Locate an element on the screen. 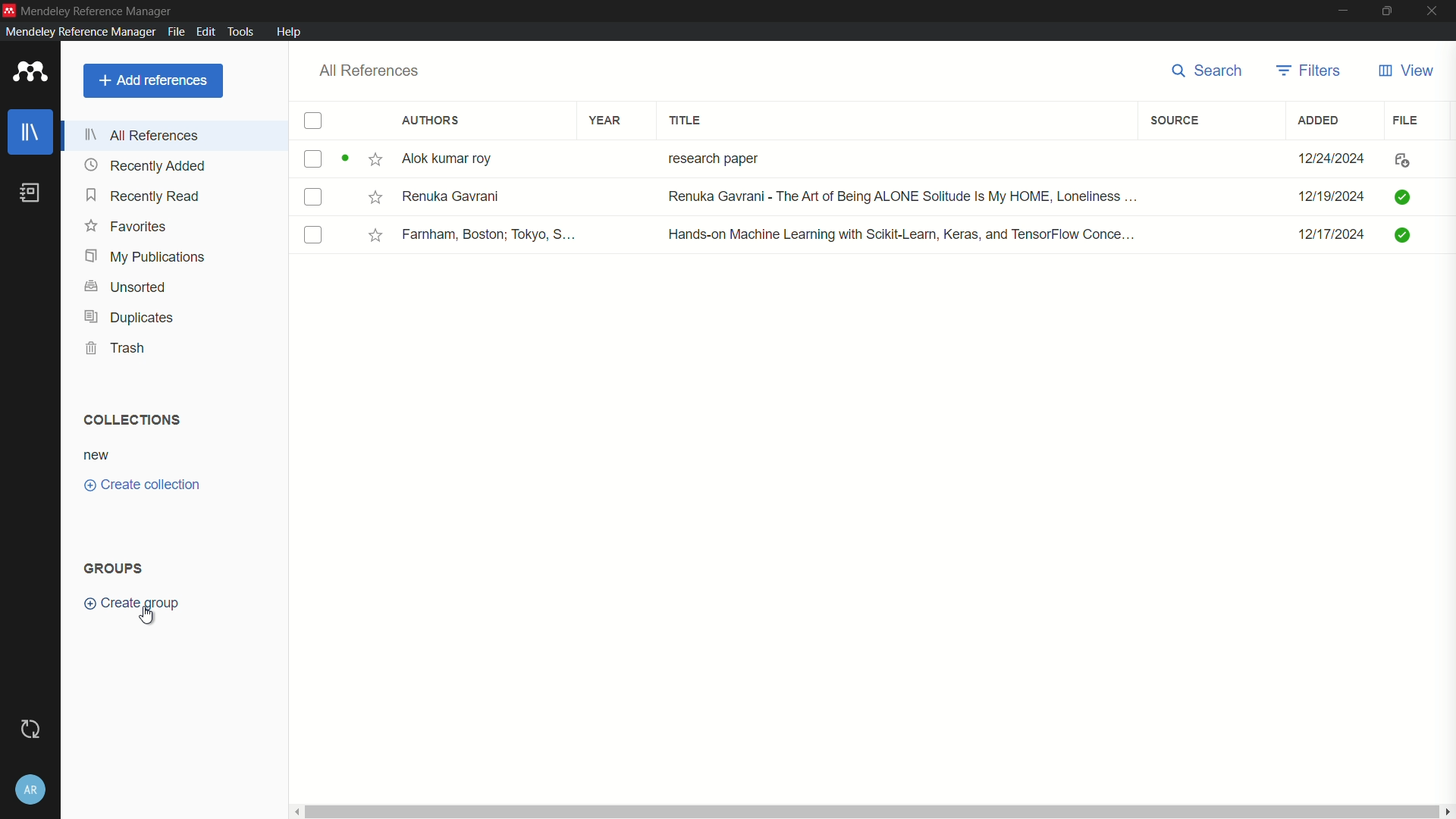  check box is located at coordinates (313, 122).